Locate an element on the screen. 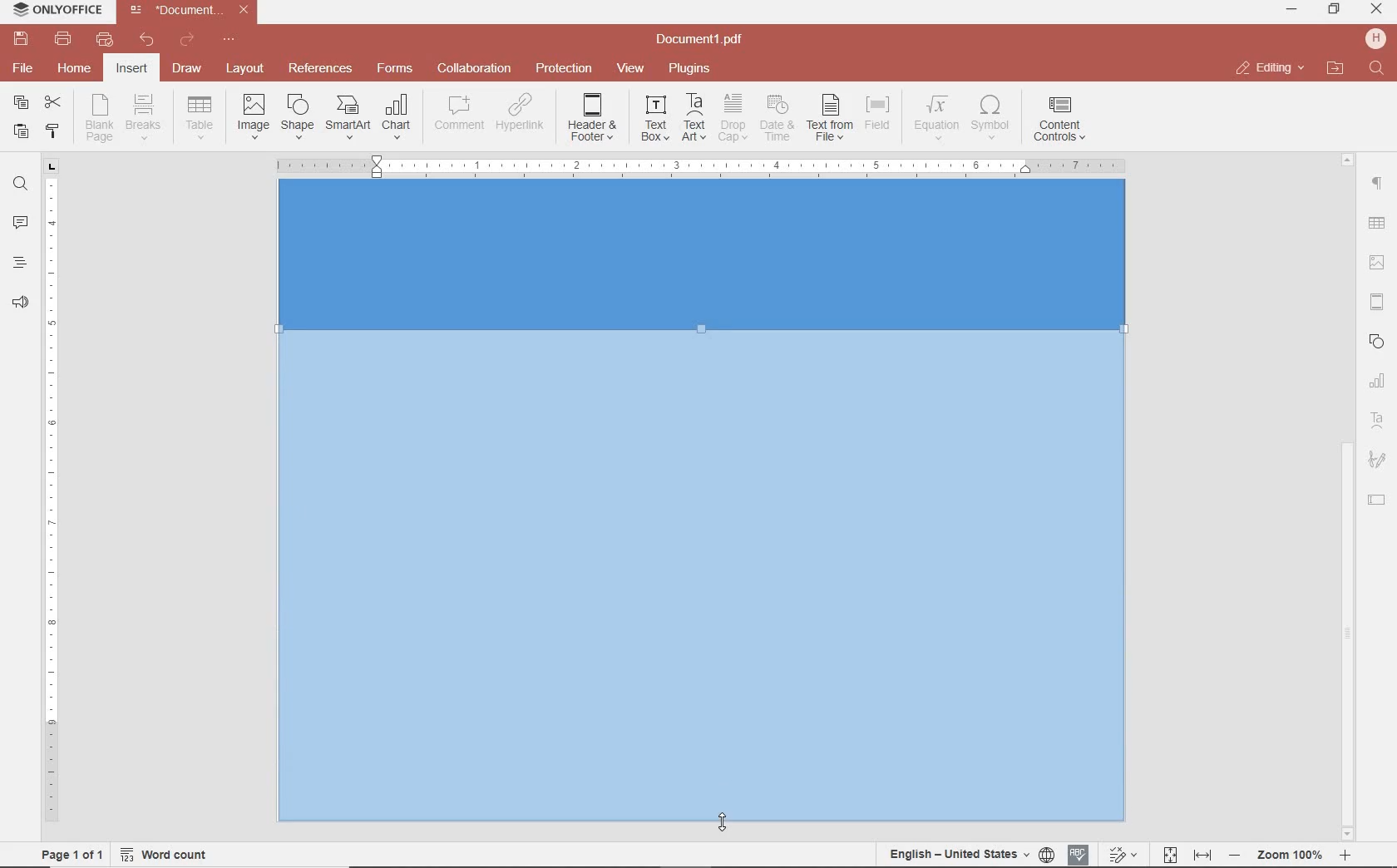 This screenshot has width=1397, height=868. IMAGE is located at coordinates (1378, 264).